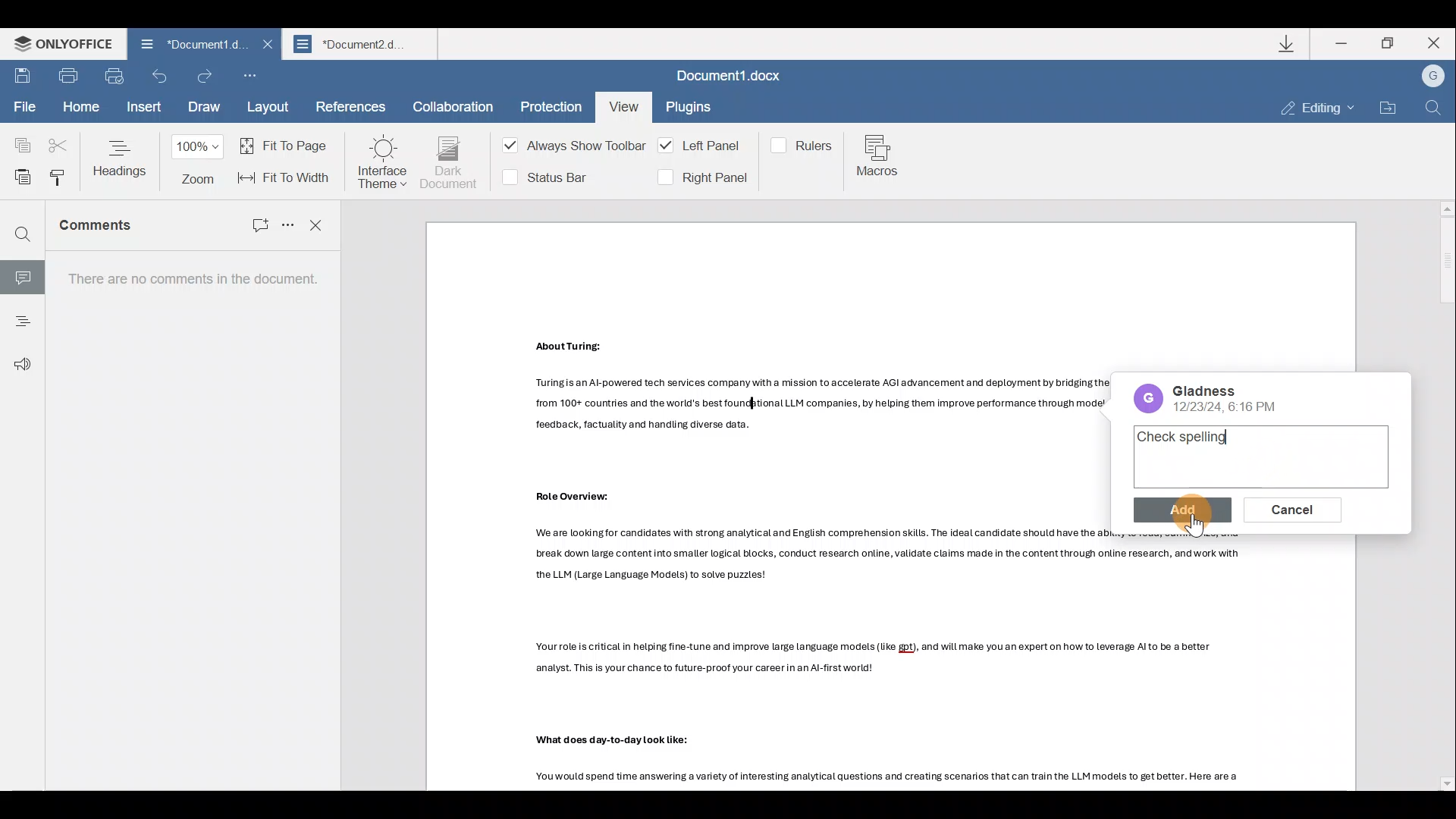 The width and height of the screenshot is (1456, 819). What do you see at coordinates (450, 163) in the screenshot?
I see `Dark document` at bounding box center [450, 163].